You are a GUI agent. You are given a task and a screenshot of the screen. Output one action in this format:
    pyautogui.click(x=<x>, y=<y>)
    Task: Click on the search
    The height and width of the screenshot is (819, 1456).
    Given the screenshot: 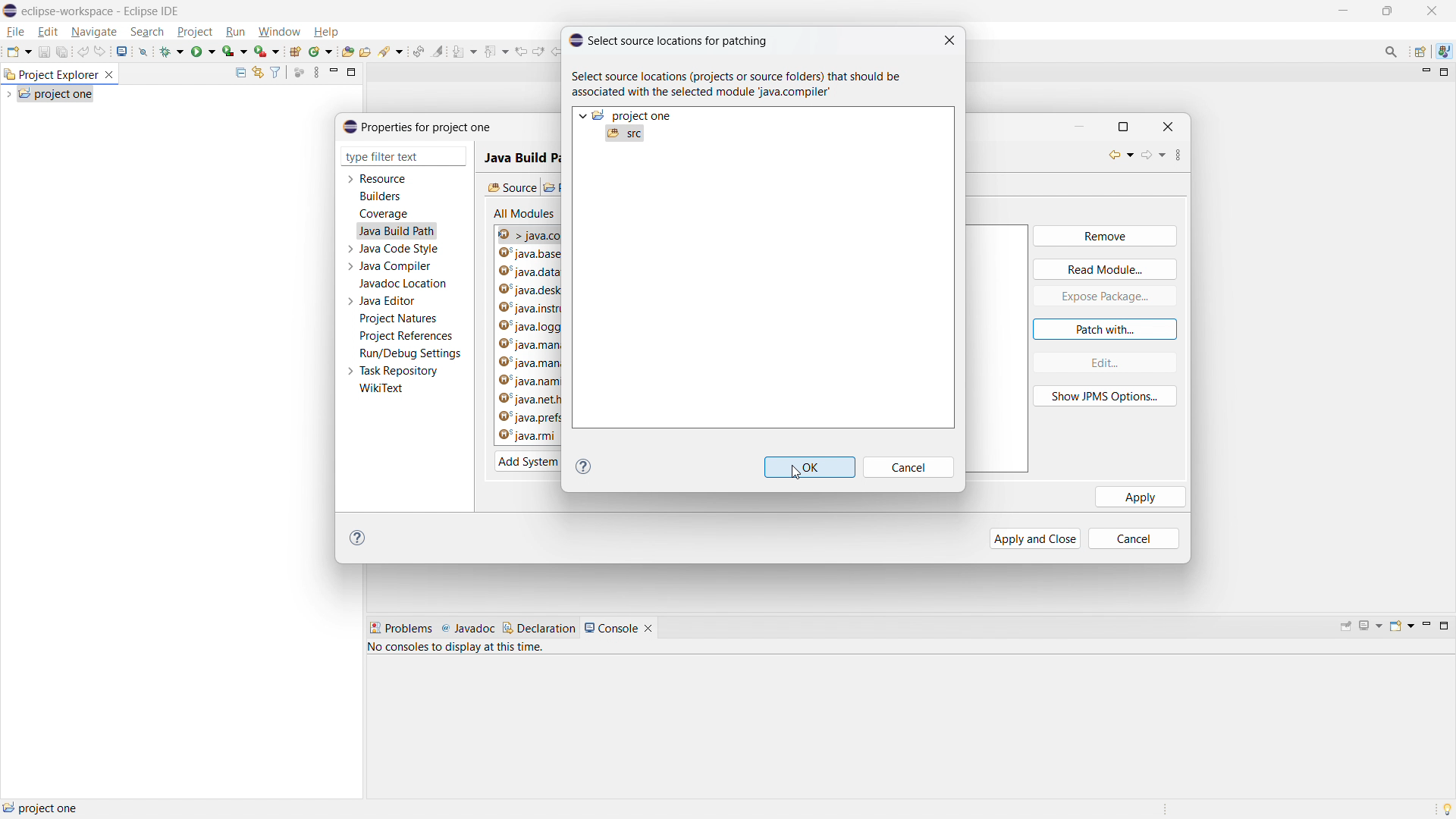 What is the action you would take?
    pyautogui.click(x=148, y=31)
    